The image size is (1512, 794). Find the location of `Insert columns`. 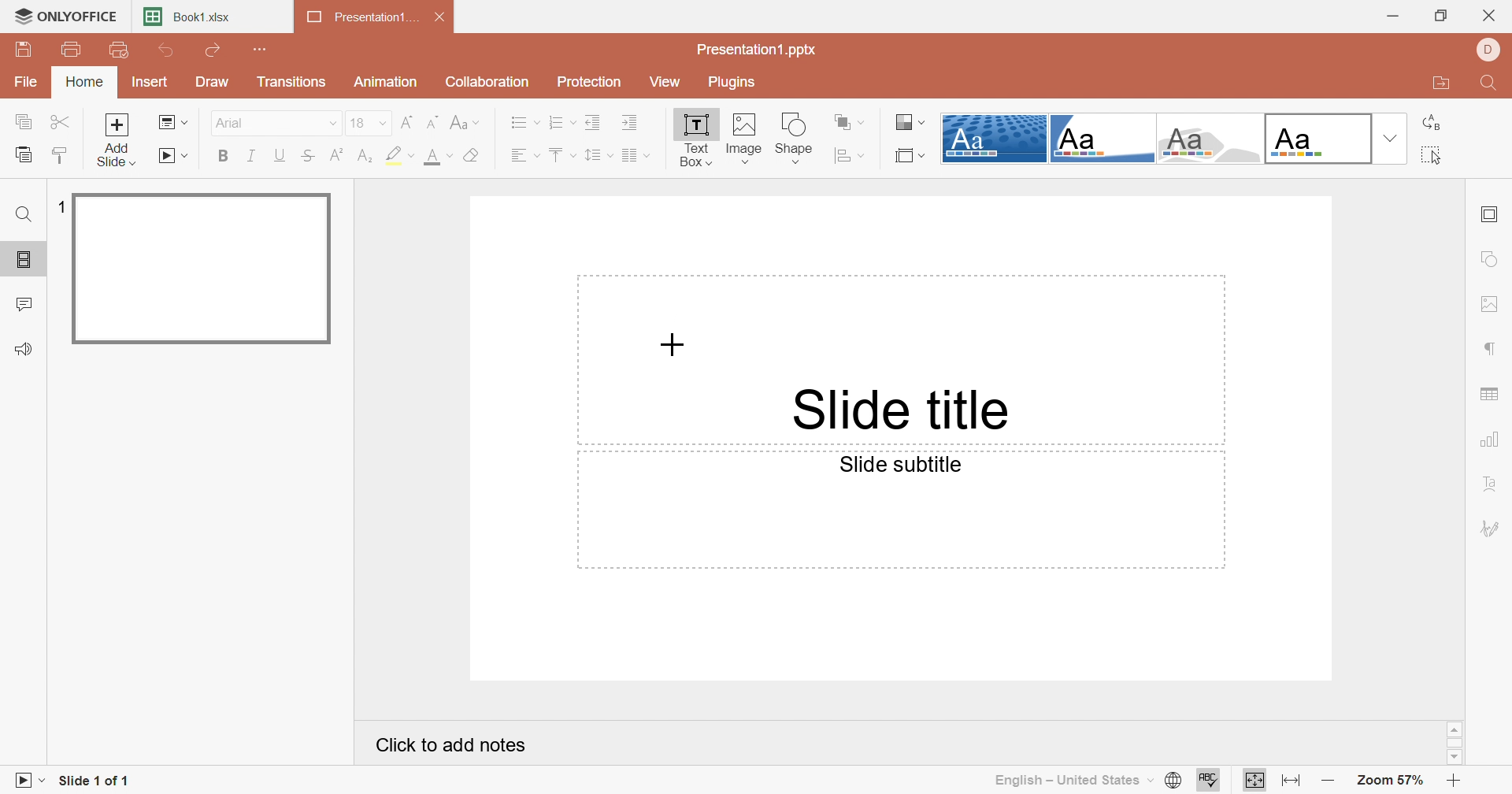

Insert columns is located at coordinates (634, 155).